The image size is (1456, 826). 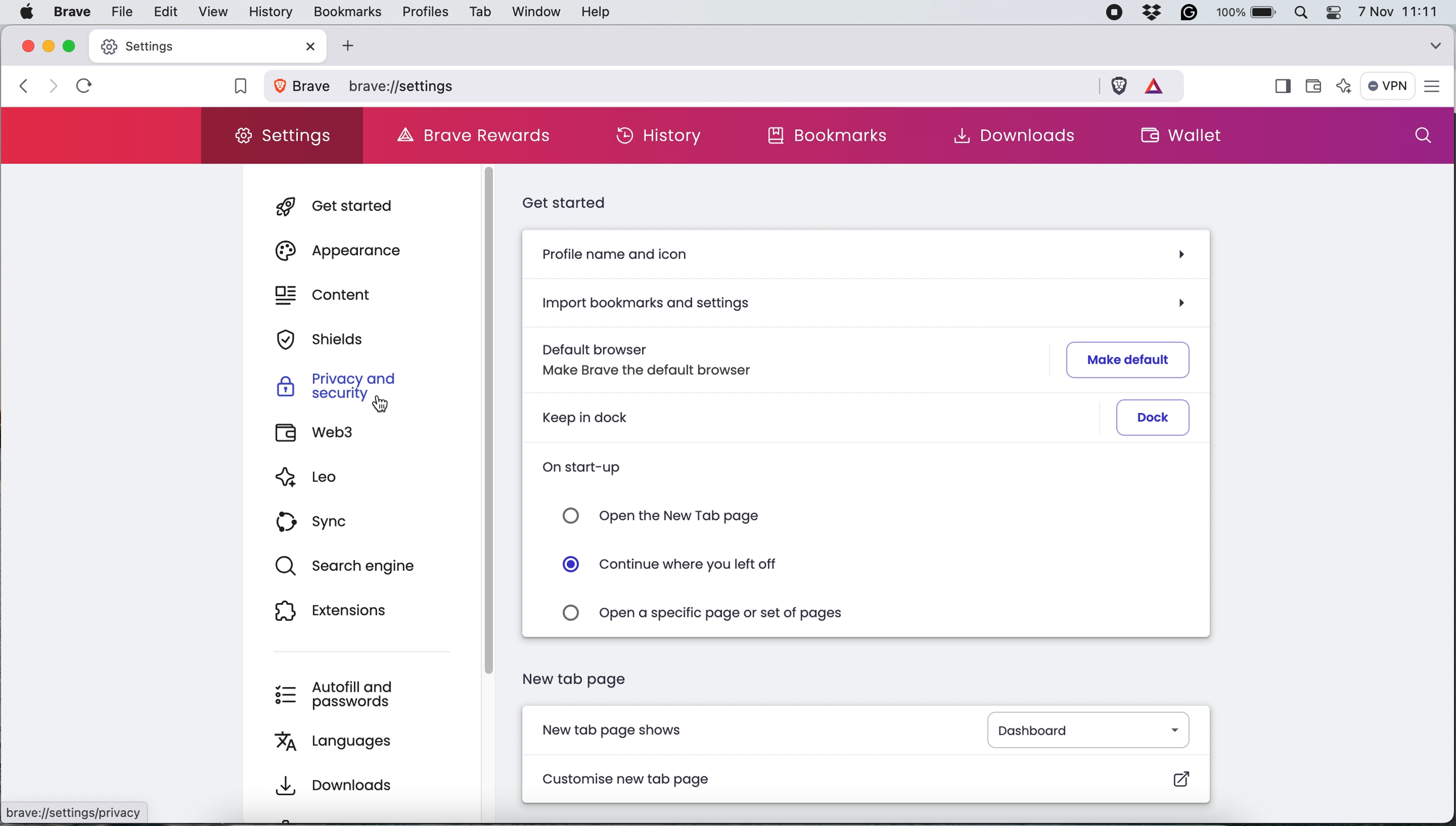 I want to click on screen recorder, so click(x=1117, y=13).